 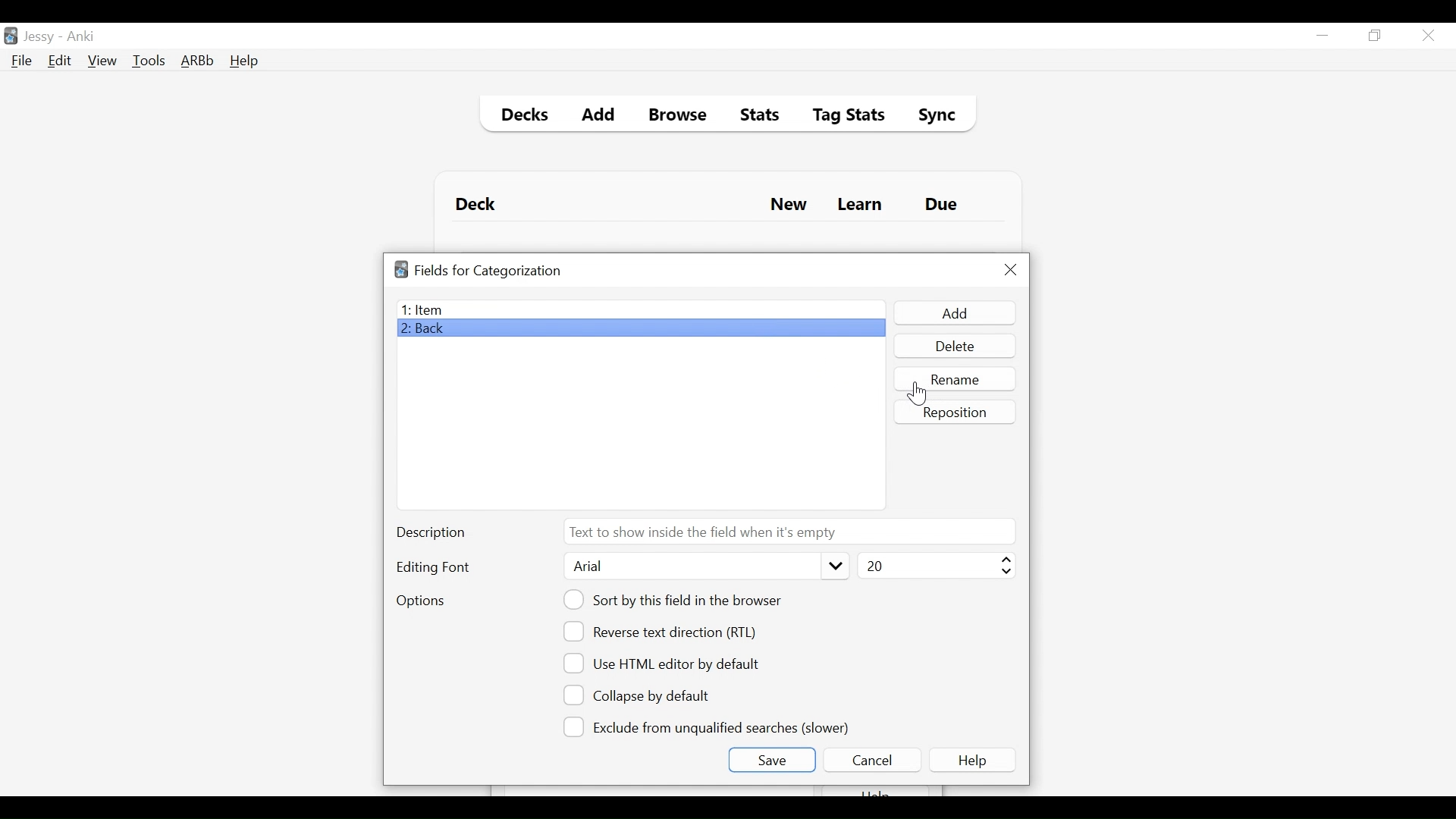 I want to click on Select Editing Font, so click(x=704, y=566).